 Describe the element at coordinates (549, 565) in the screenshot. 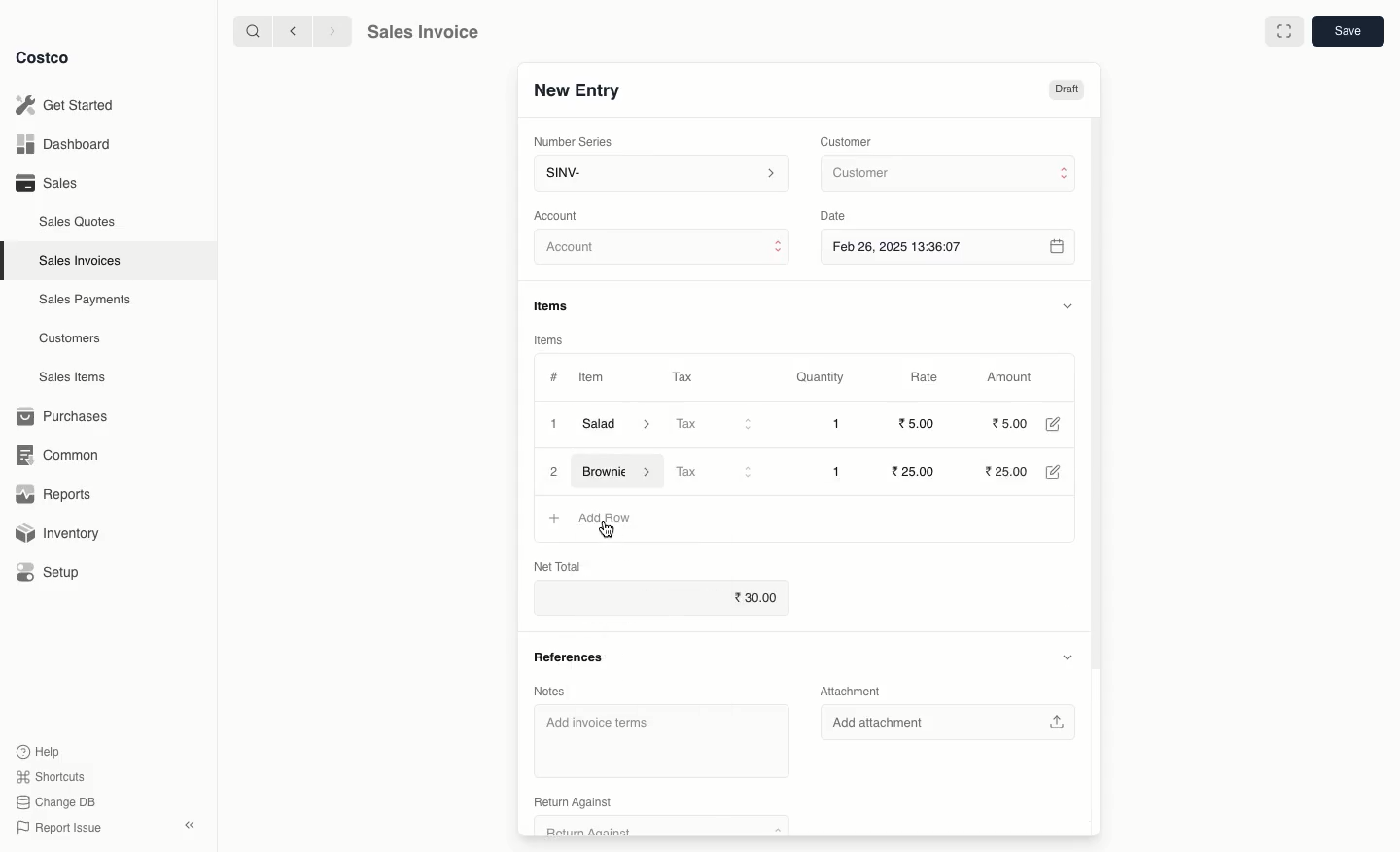

I see `Net Total` at that location.